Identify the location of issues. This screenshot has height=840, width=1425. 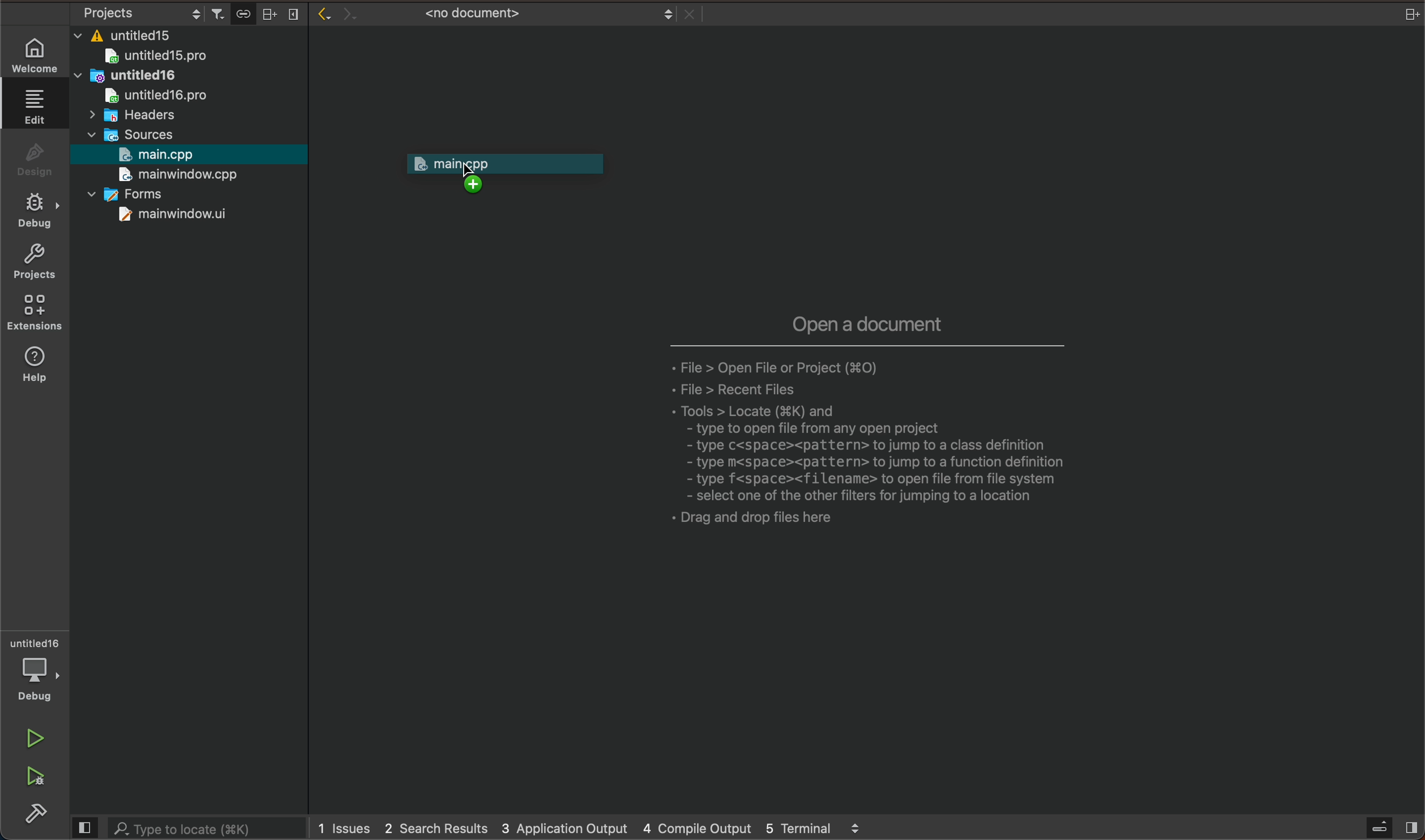
(348, 830).